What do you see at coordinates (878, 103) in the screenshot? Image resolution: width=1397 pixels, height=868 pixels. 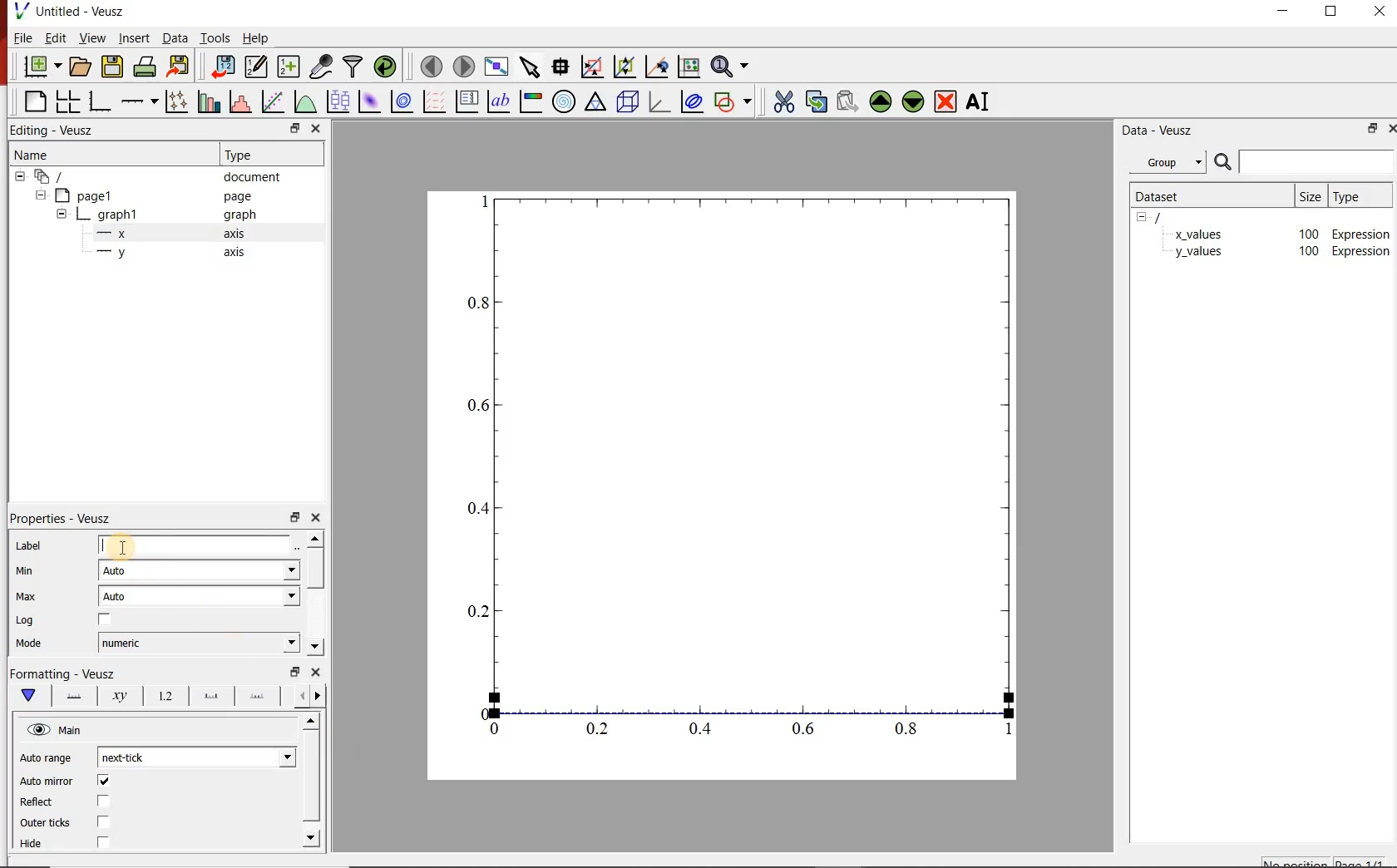 I see `move up the the selected widget` at bounding box center [878, 103].